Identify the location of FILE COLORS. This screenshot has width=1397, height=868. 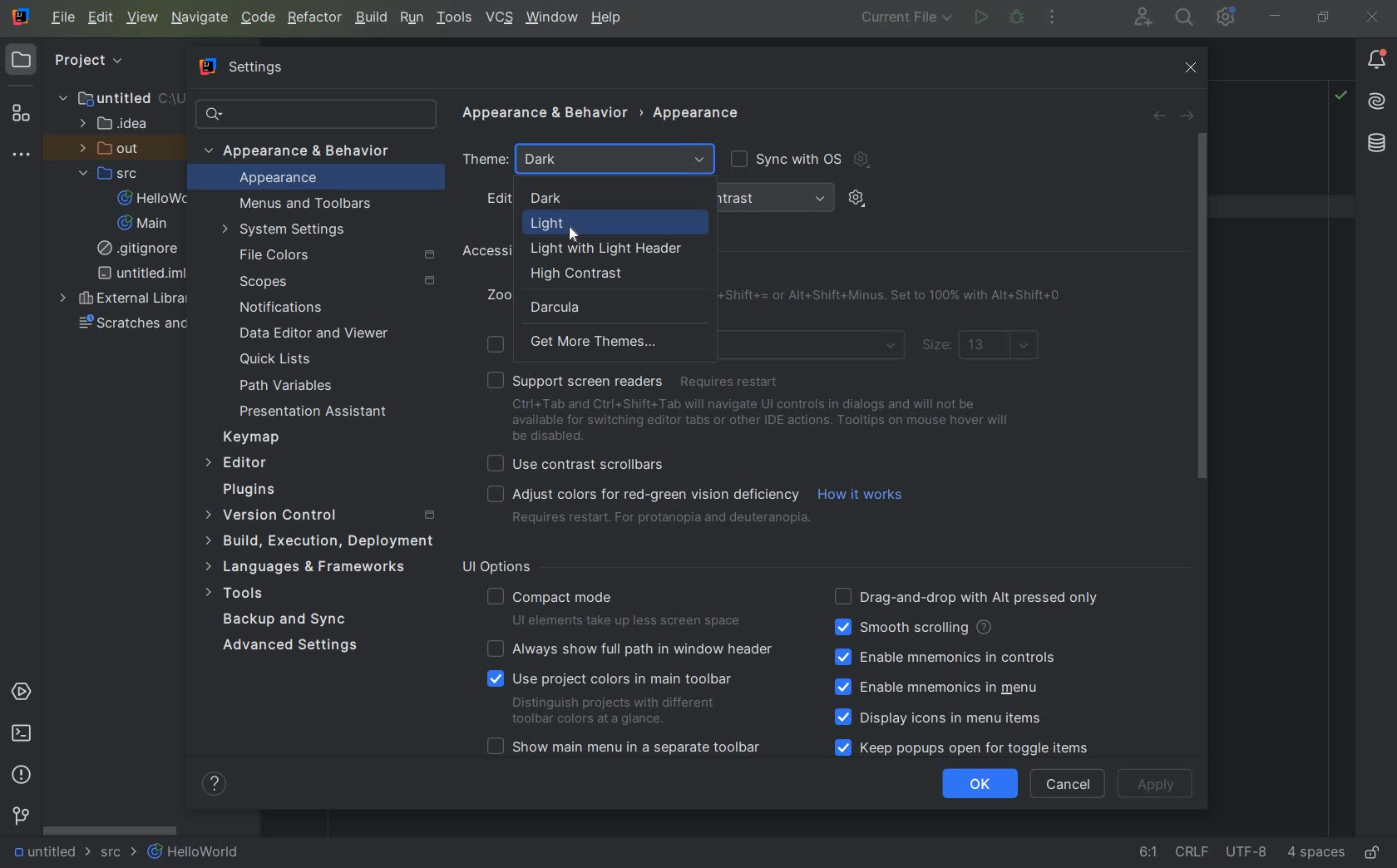
(340, 254).